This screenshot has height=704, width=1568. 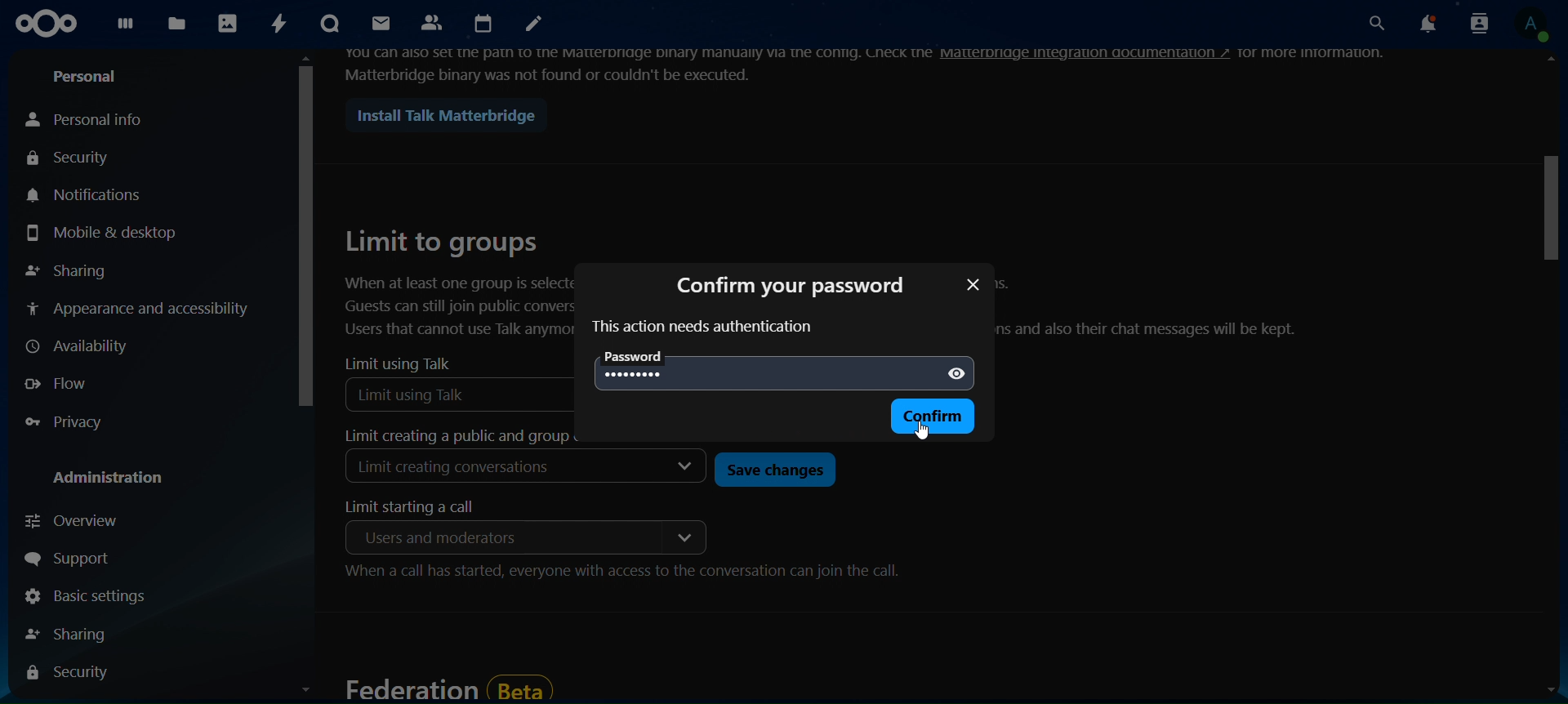 I want to click on photos, so click(x=229, y=25).